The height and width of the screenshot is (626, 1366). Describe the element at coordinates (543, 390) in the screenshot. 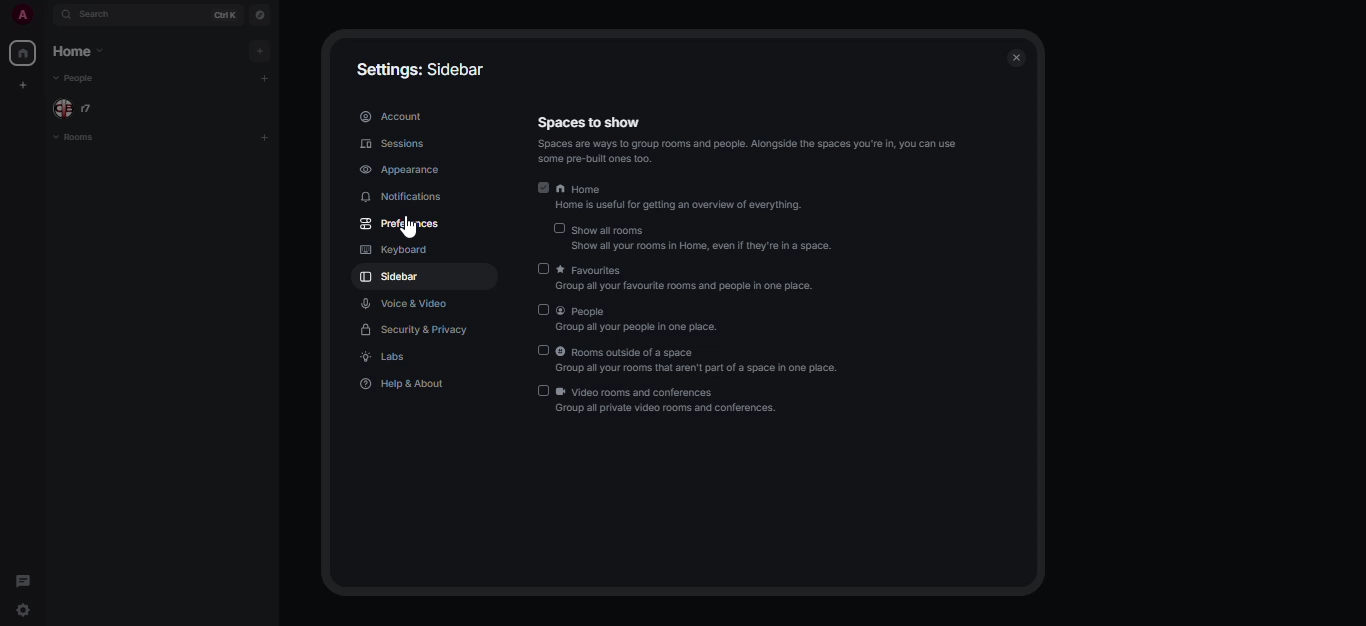

I see `disabled` at that location.